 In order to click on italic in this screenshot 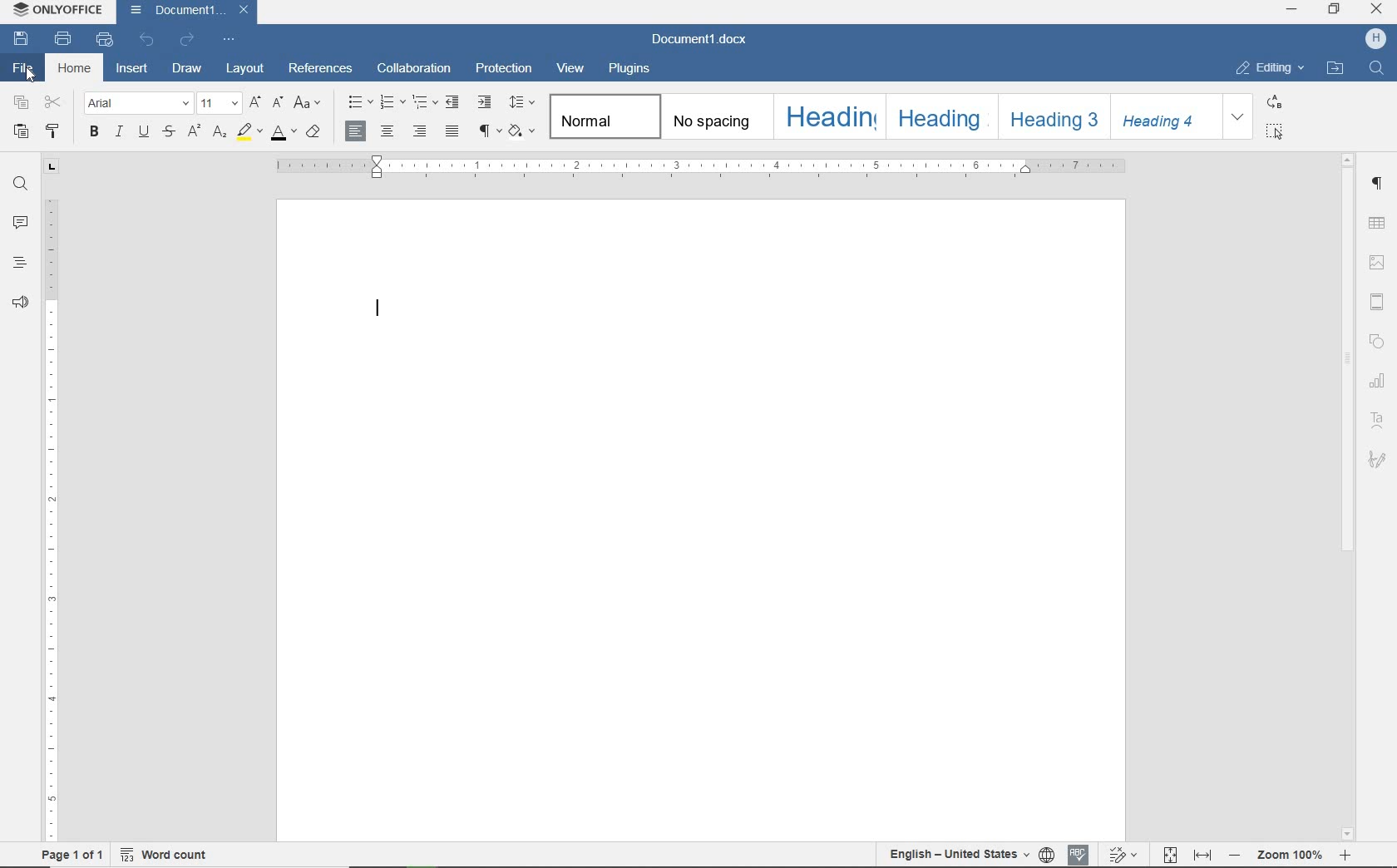, I will do `click(119, 132)`.